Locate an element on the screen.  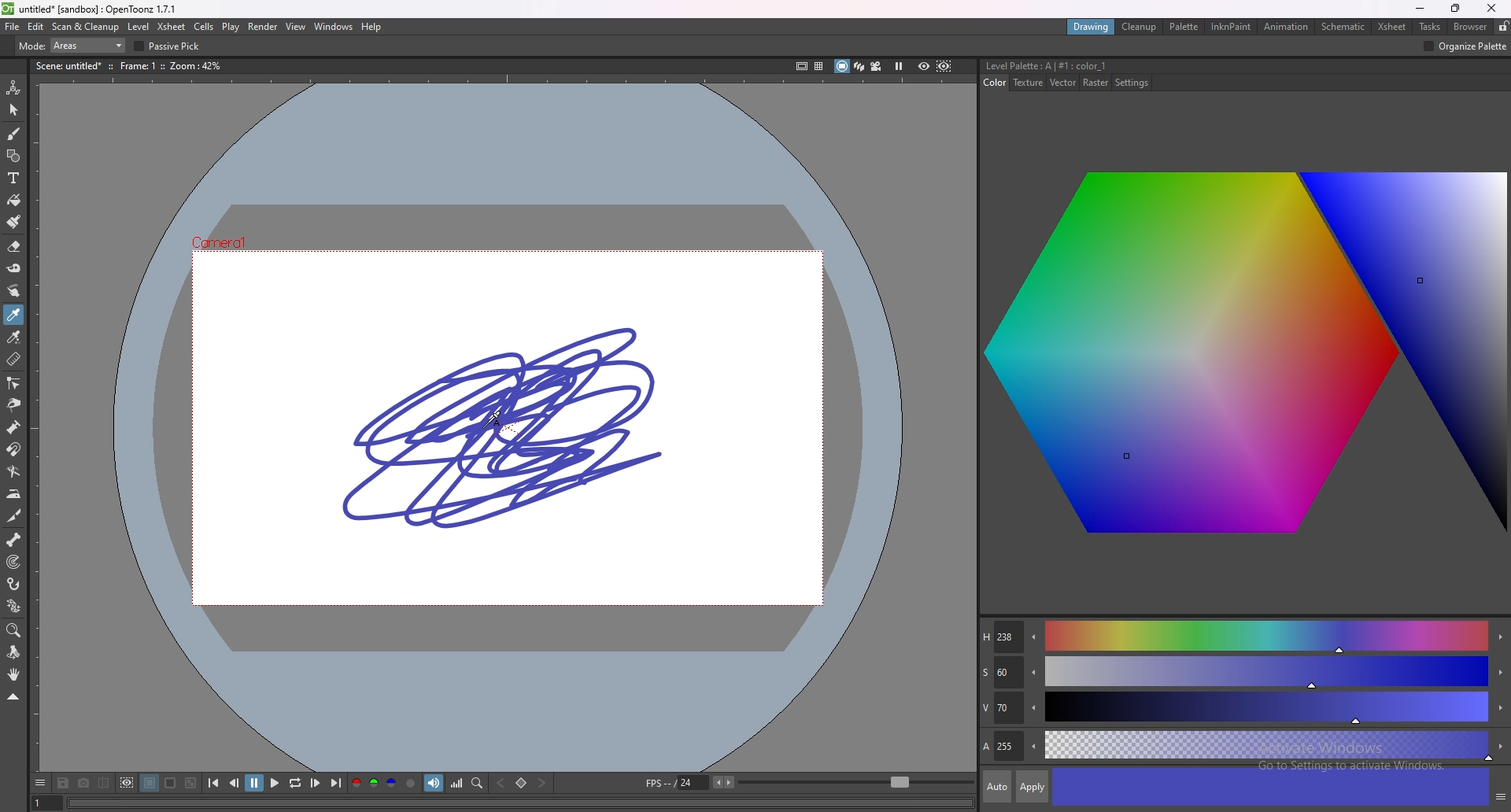
auto is located at coordinates (997, 787).